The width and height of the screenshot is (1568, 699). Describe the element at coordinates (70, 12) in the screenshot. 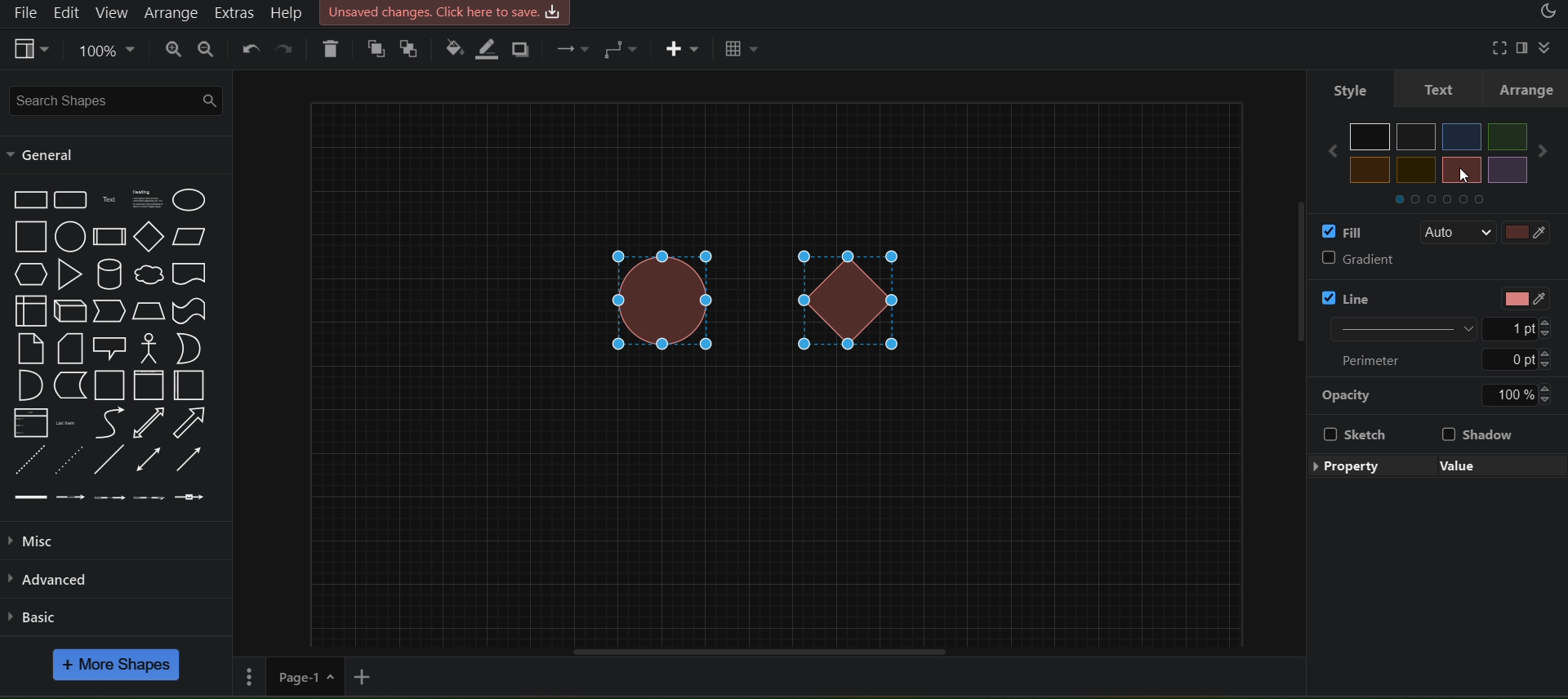

I see `edit` at that location.